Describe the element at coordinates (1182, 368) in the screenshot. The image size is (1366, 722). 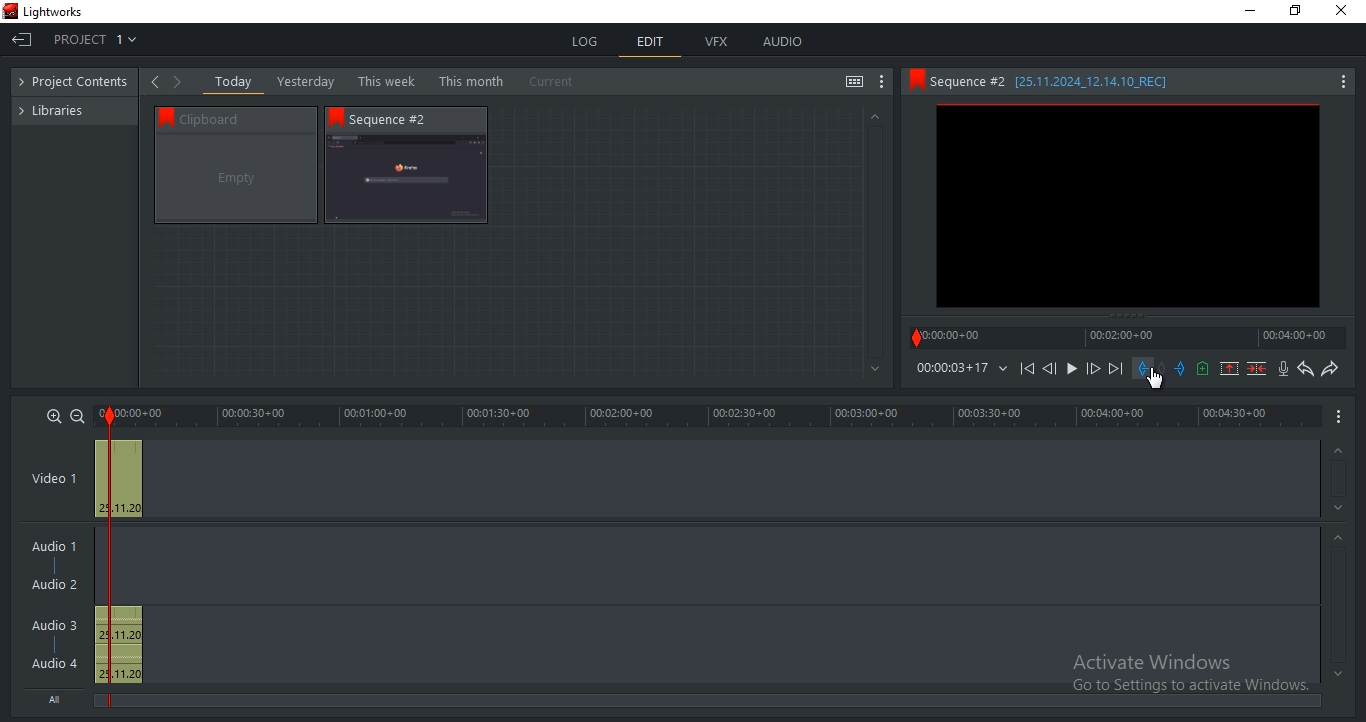
I see `mark out` at that location.